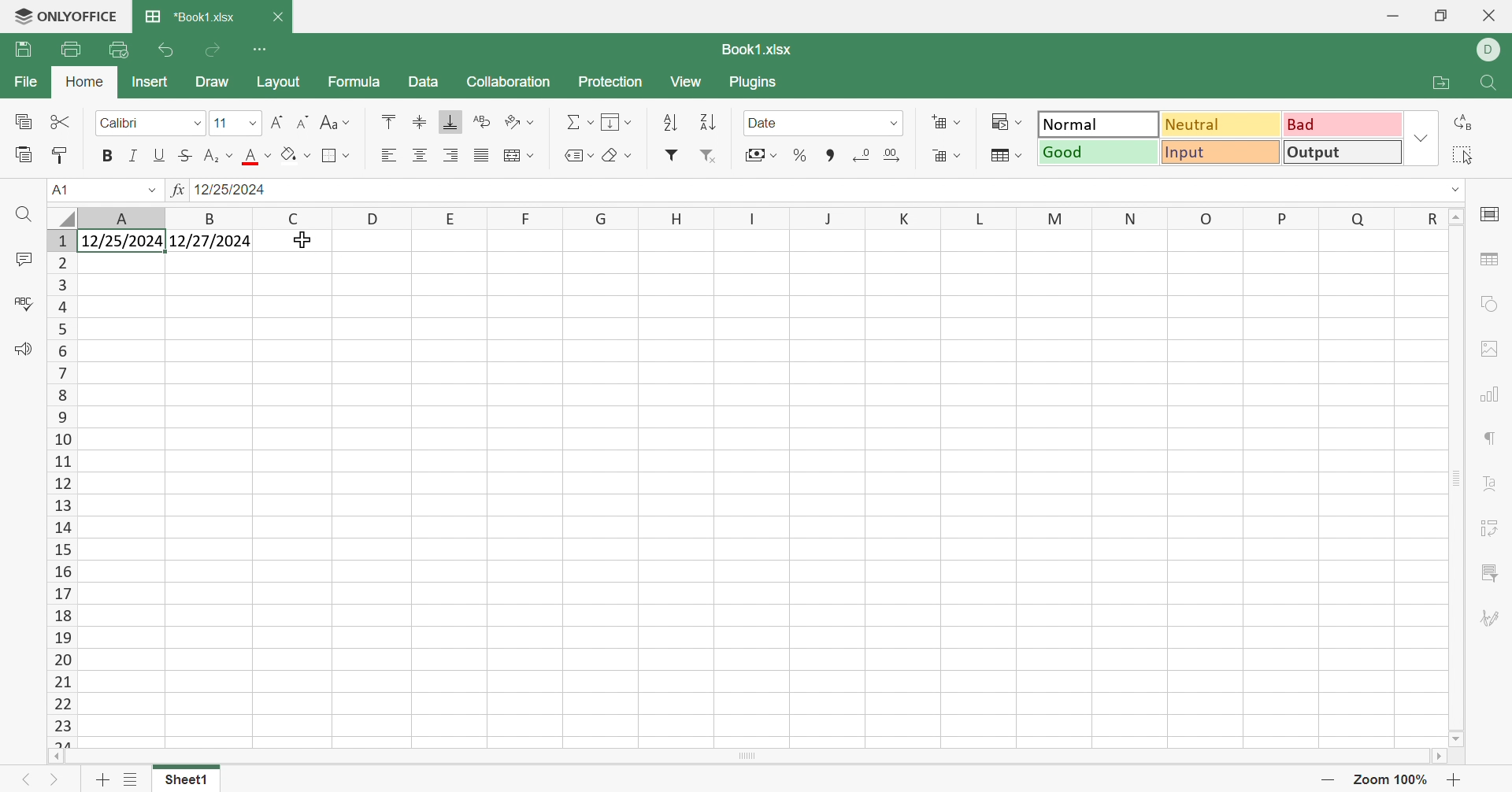 The height and width of the screenshot is (792, 1512). Describe the element at coordinates (55, 758) in the screenshot. I see `Scroll Left` at that location.